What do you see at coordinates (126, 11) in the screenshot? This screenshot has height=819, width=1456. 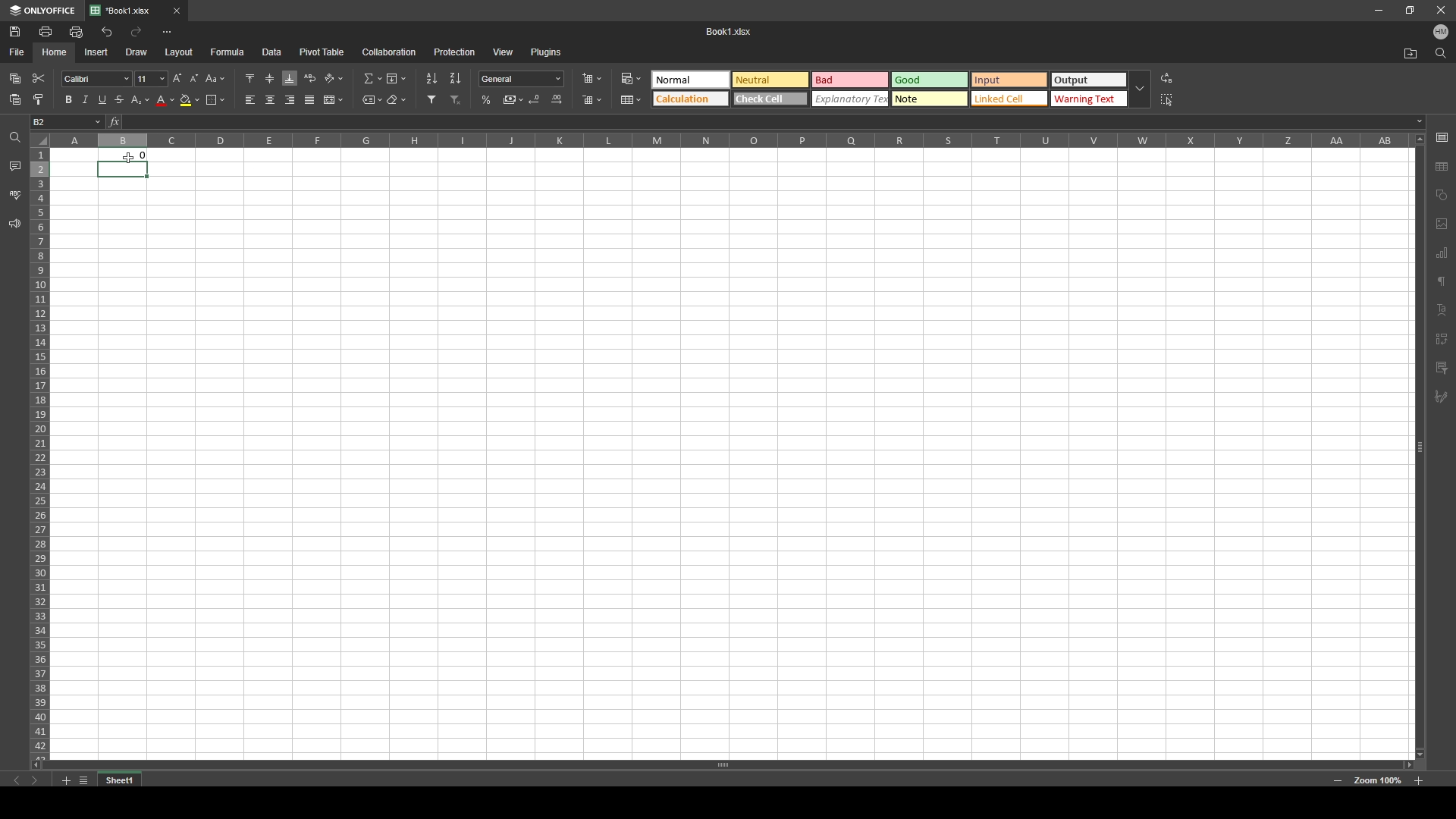 I see `tab 1` at bounding box center [126, 11].